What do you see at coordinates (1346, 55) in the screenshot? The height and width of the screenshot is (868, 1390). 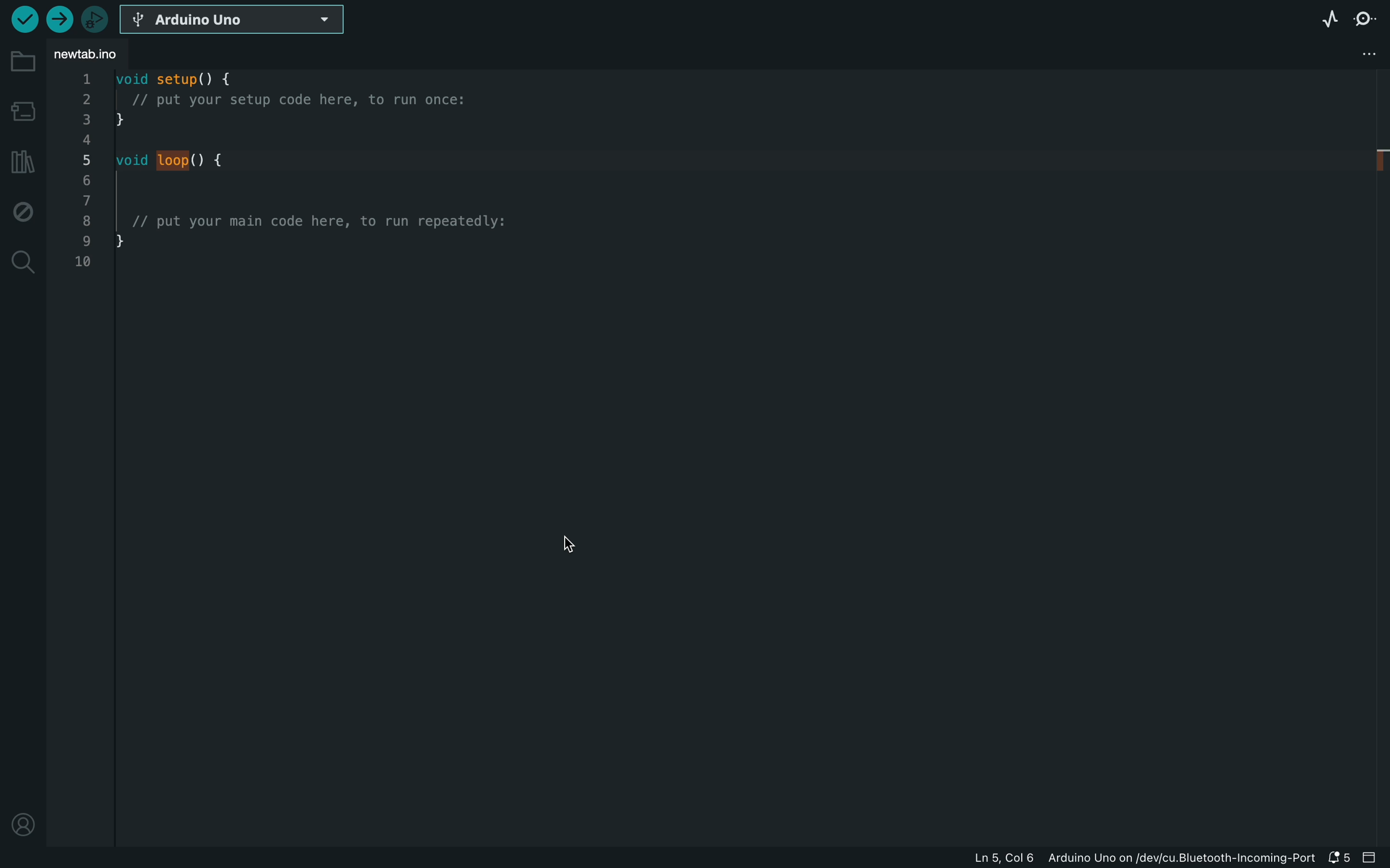 I see `file setting` at bounding box center [1346, 55].